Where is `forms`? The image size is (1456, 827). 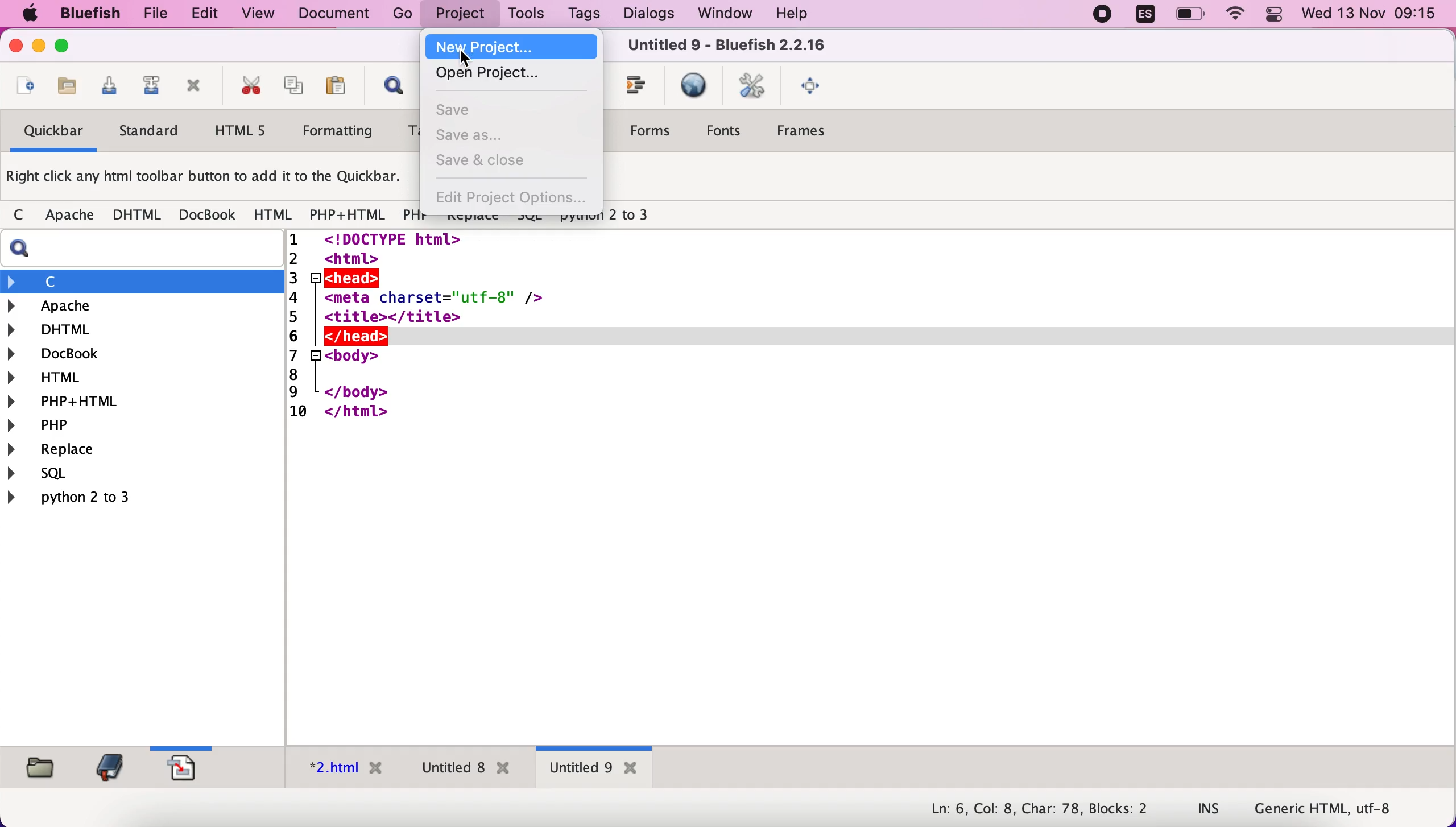
forms is located at coordinates (651, 131).